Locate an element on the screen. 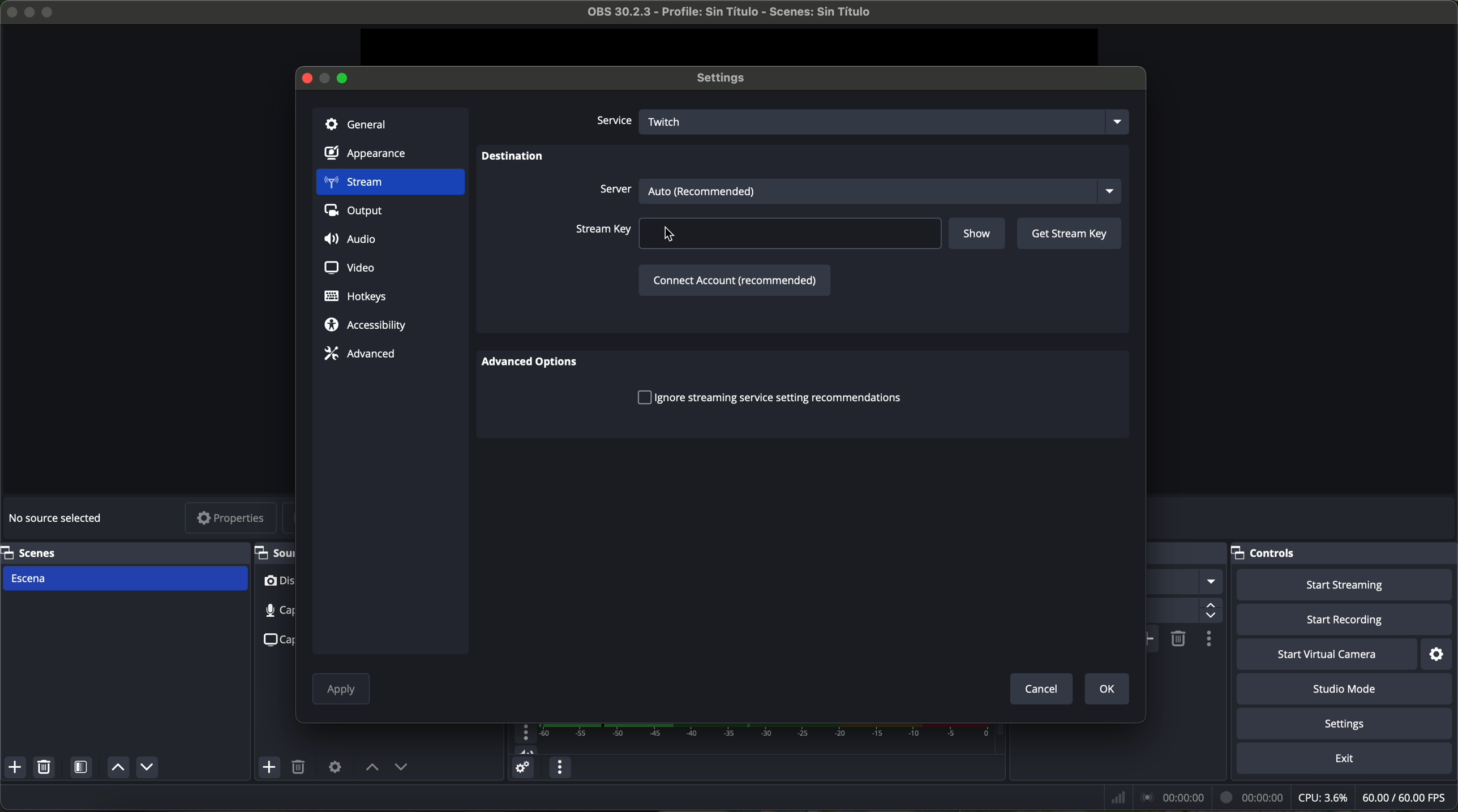 Image resolution: width=1458 pixels, height=812 pixels. start recording is located at coordinates (1346, 621).